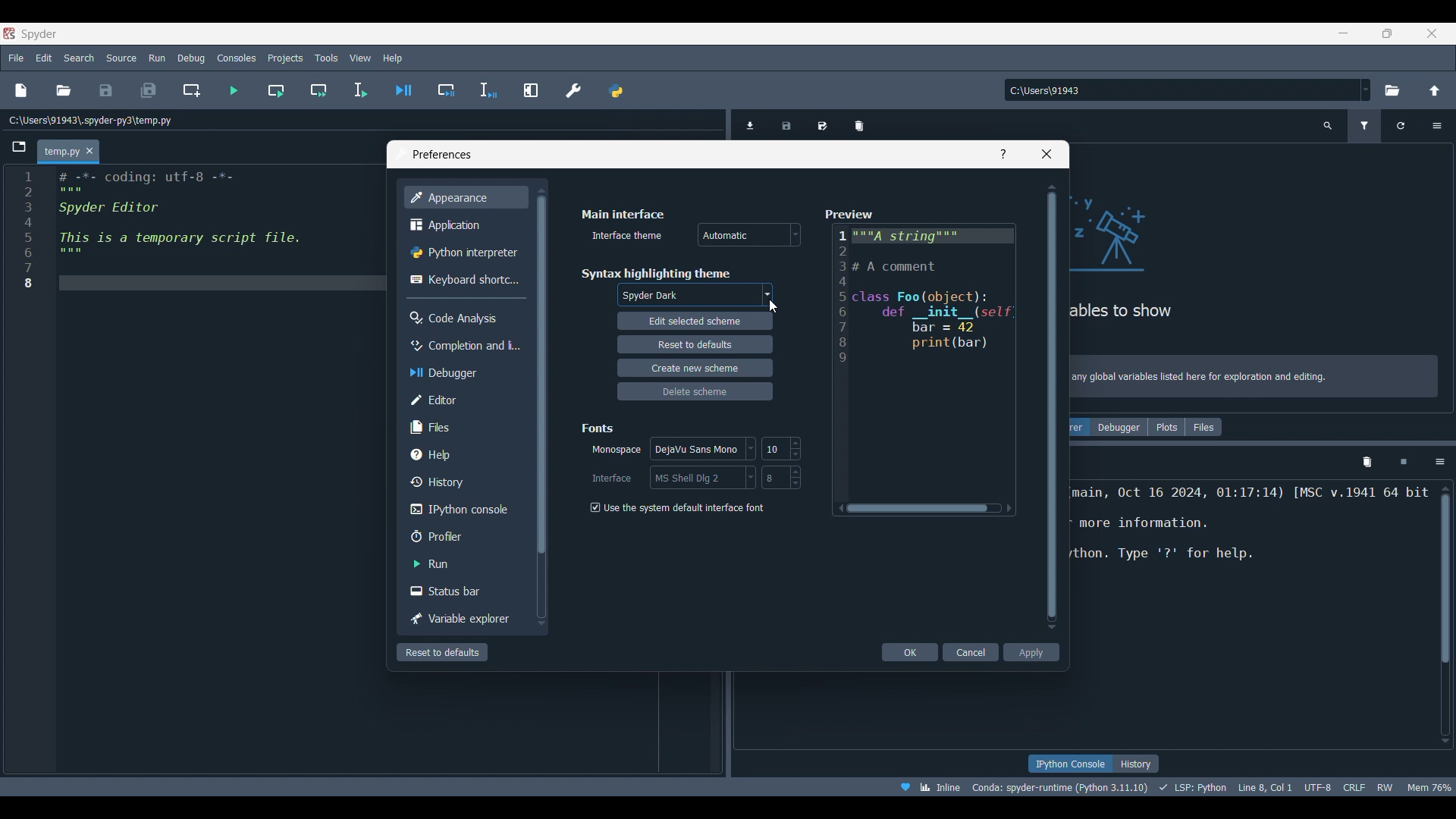  I want to click on Software logo, so click(9, 33).